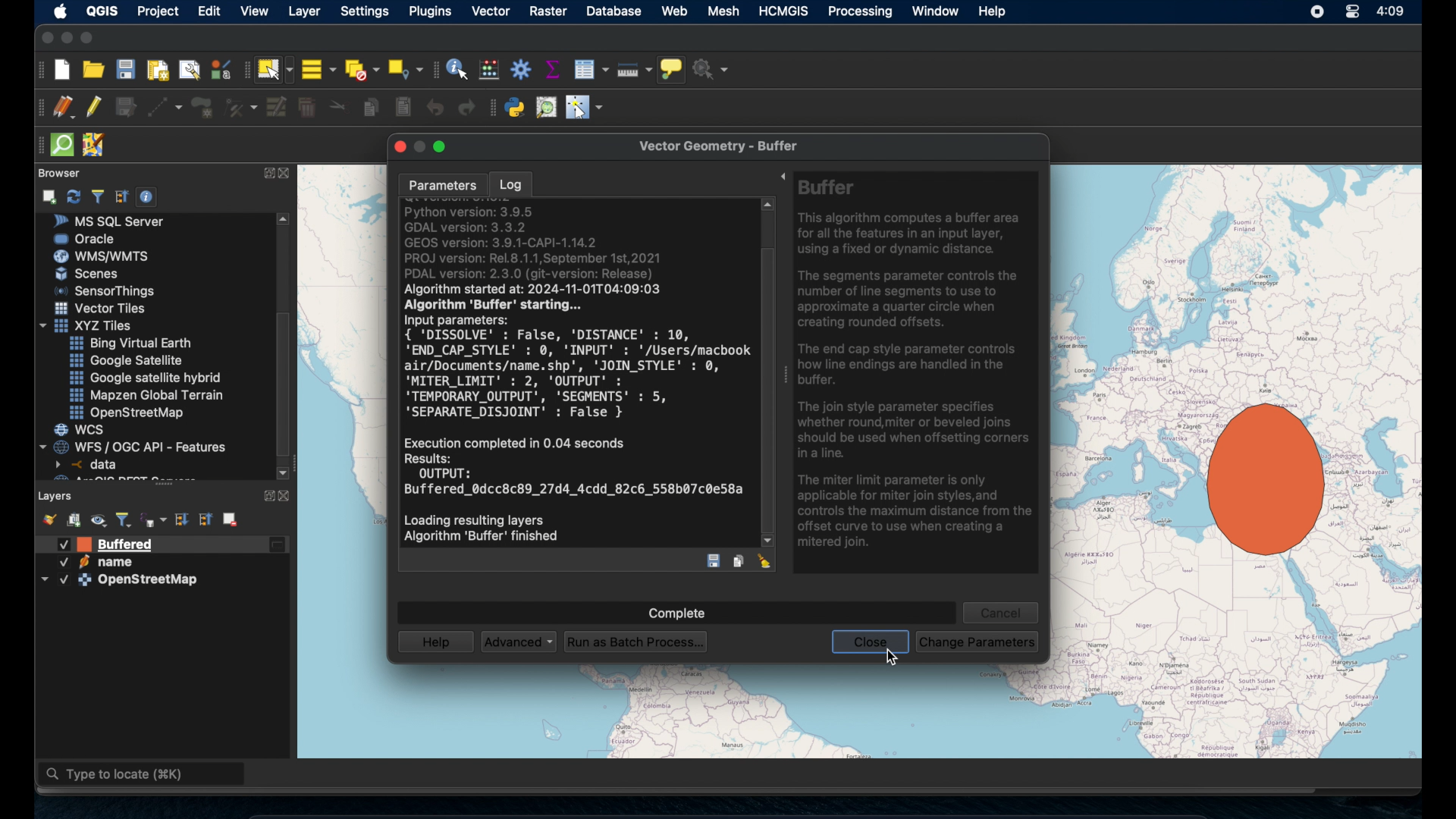  What do you see at coordinates (267, 172) in the screenshot?
I see `expand` at bounding box center [267, 172].